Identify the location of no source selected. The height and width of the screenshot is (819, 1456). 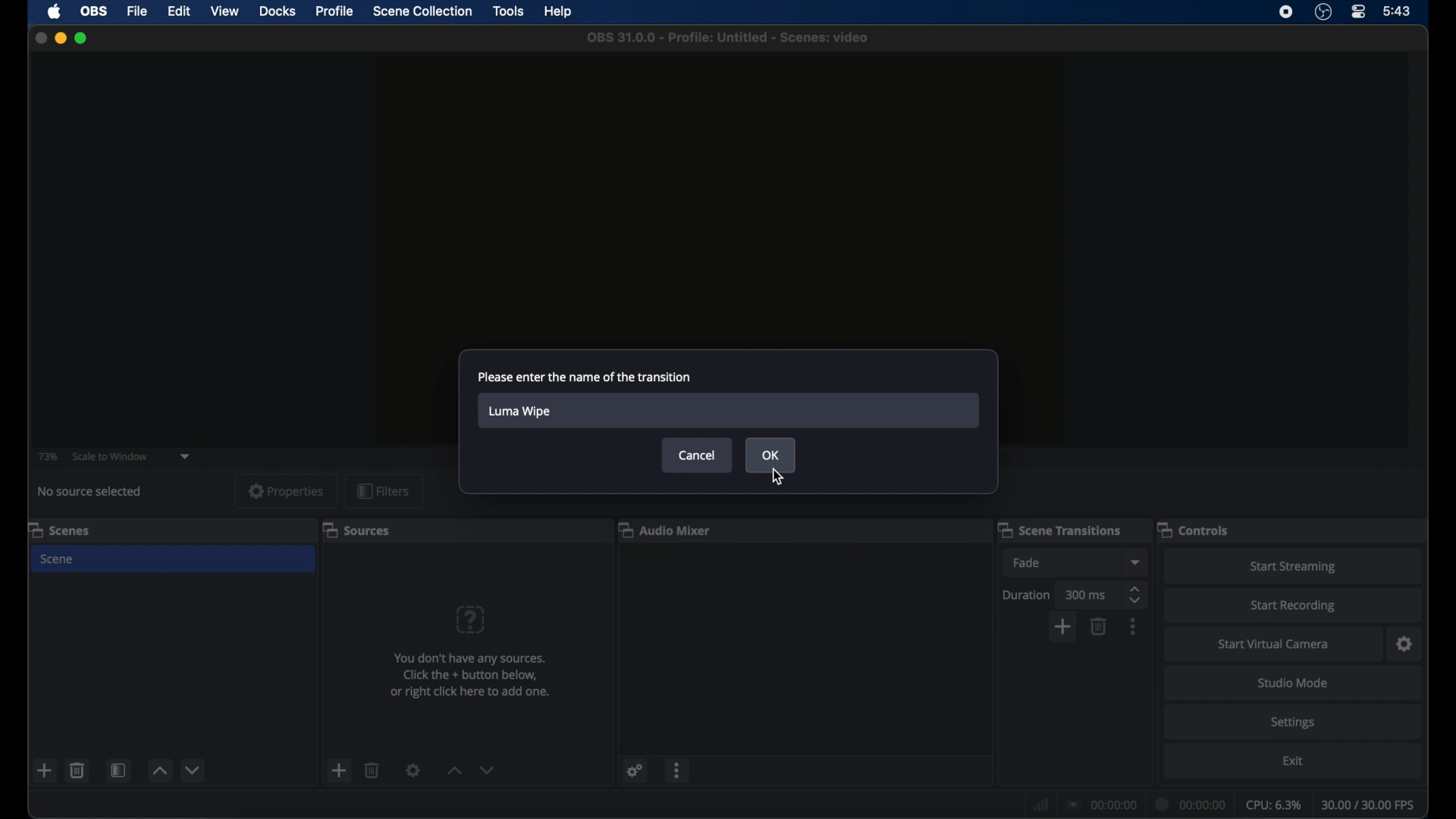
(89, 491).